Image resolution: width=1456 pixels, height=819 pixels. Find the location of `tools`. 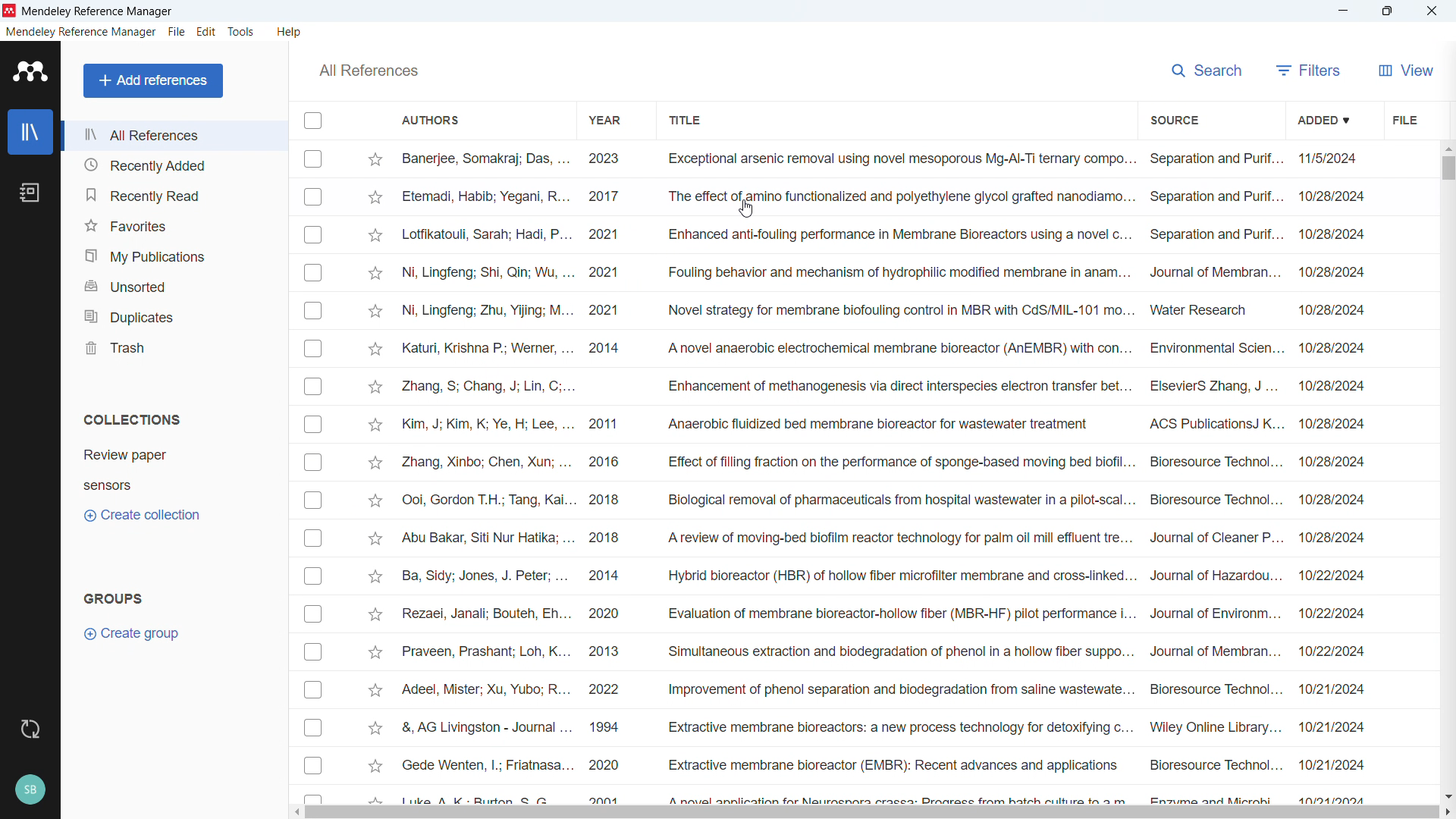

tools is located at coordinates (240, 32).